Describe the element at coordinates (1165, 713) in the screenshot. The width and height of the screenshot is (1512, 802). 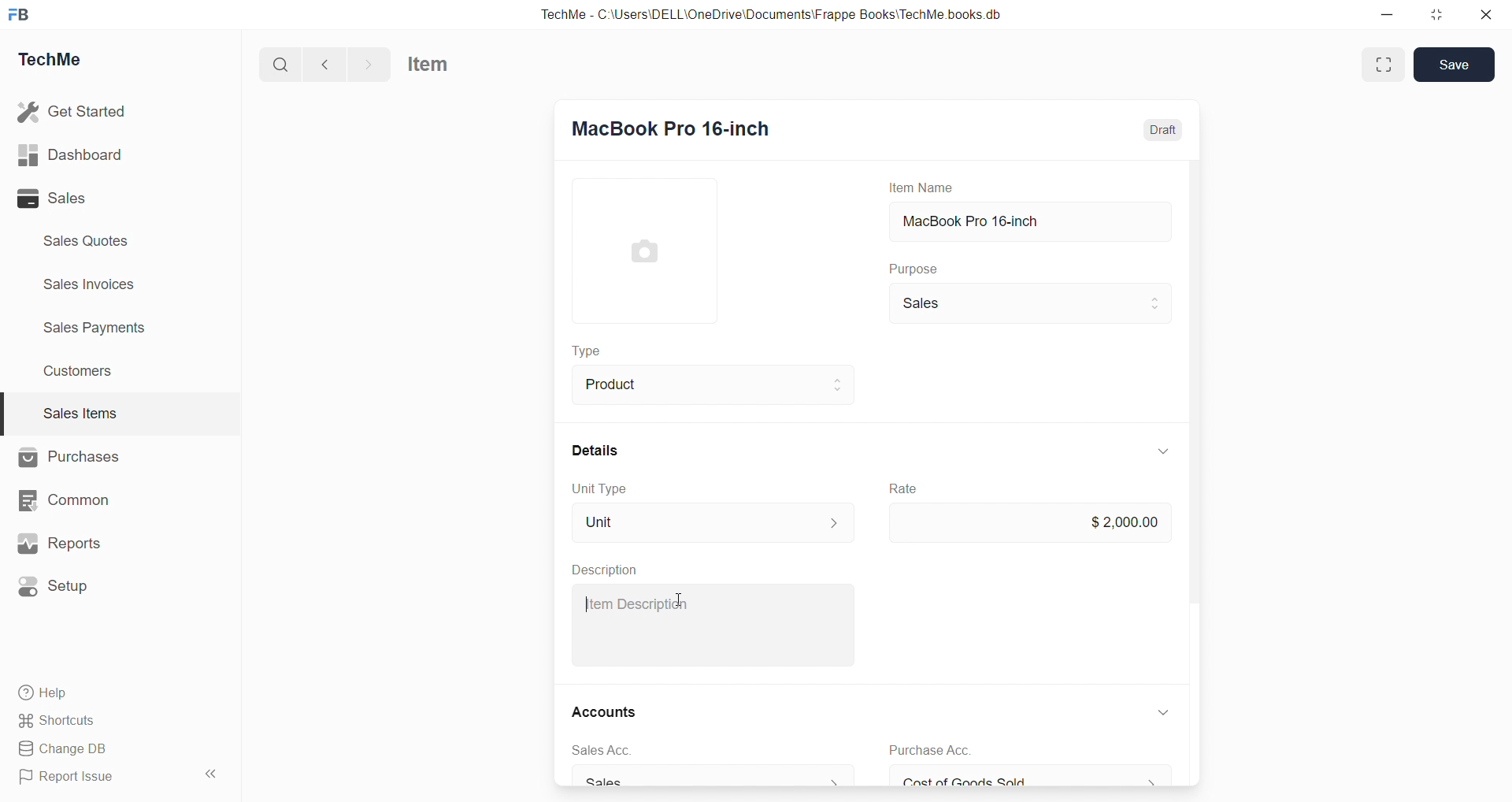
I see `down` at that location.